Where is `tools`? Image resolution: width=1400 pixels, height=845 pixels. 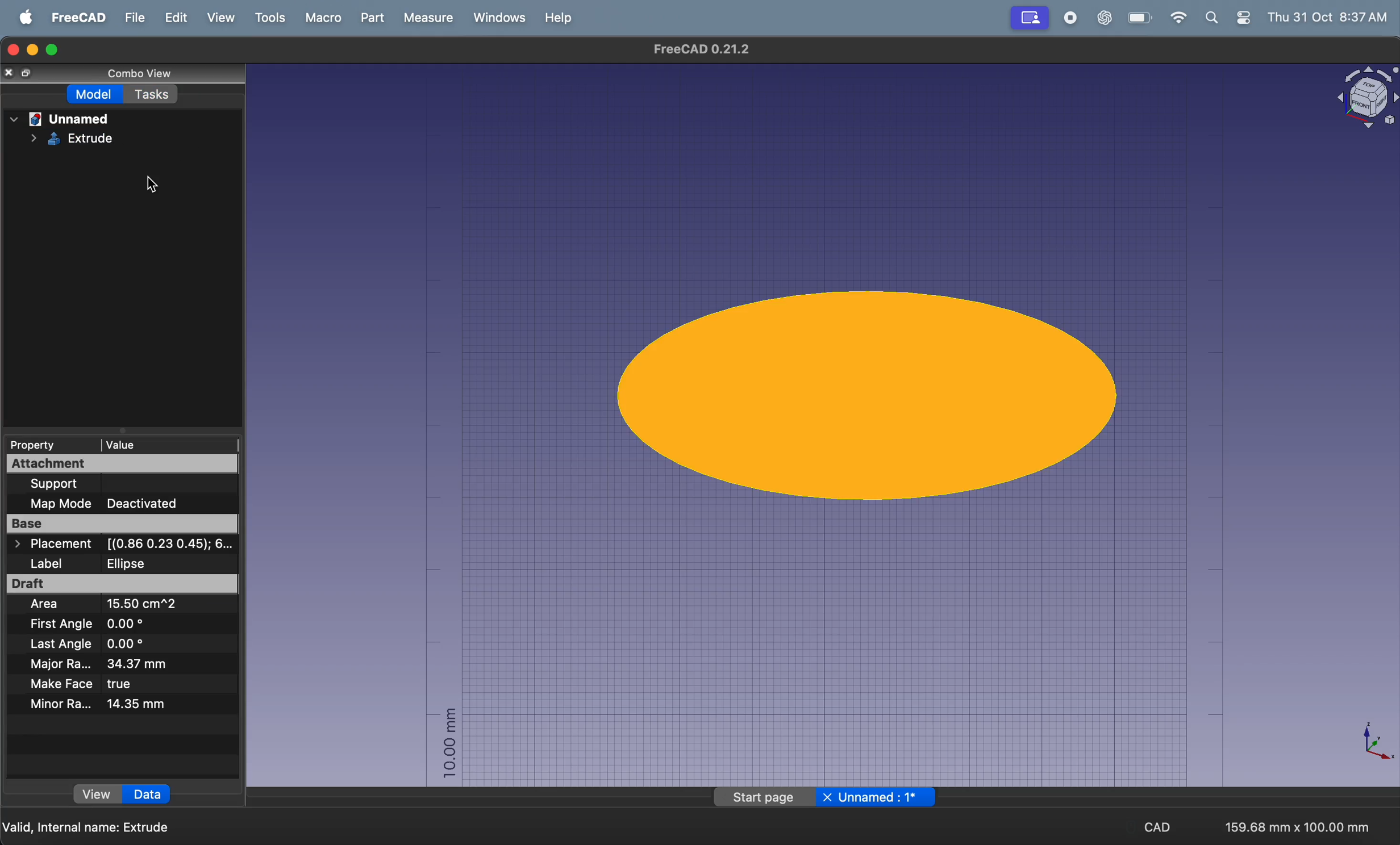
tools is located at coordinates (266, 18).